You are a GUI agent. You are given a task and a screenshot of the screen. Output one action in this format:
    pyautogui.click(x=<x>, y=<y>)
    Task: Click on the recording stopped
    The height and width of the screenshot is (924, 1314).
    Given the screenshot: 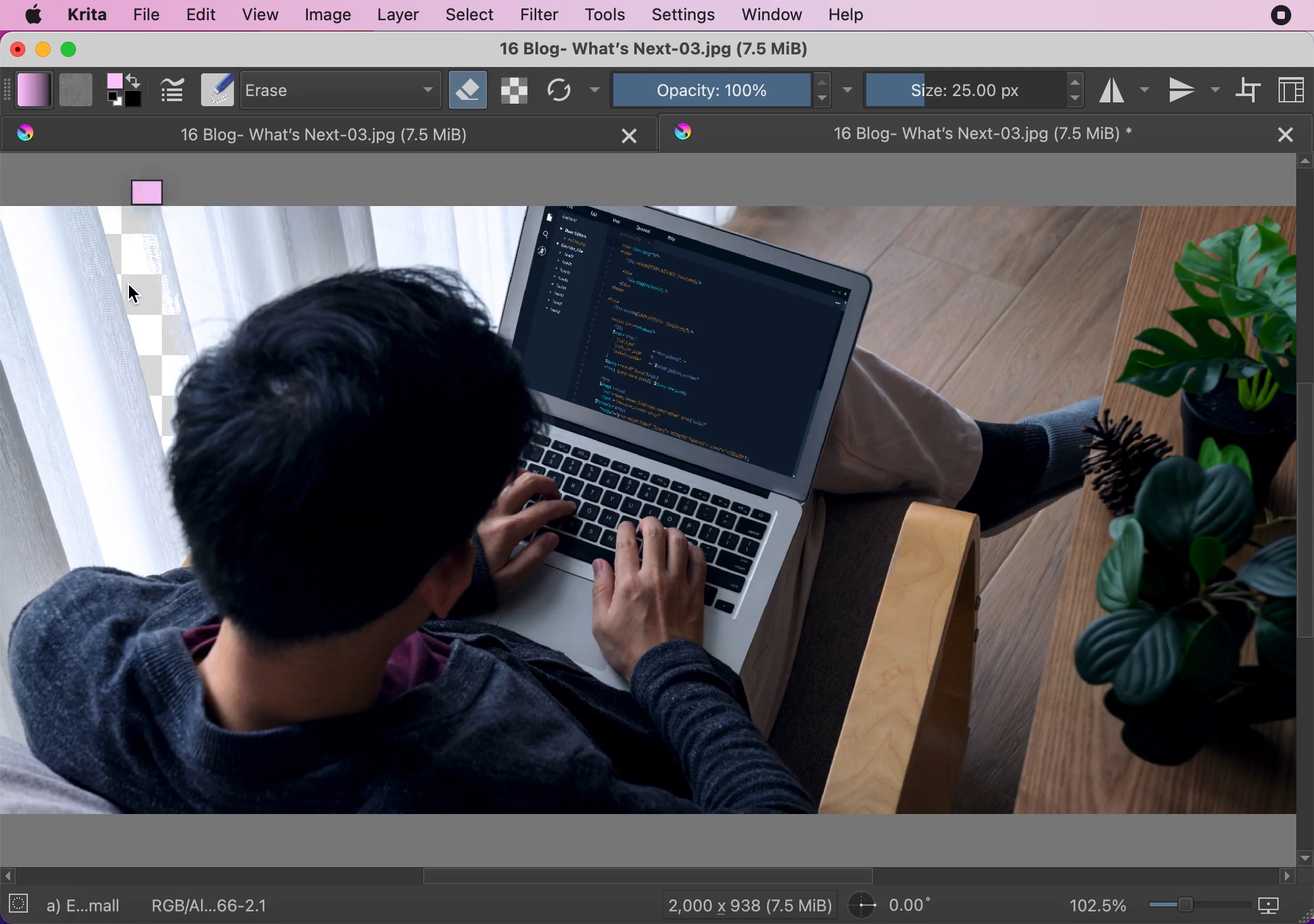 What is the action you would take?
    pyautogui.click(x=1283, y=15)
    